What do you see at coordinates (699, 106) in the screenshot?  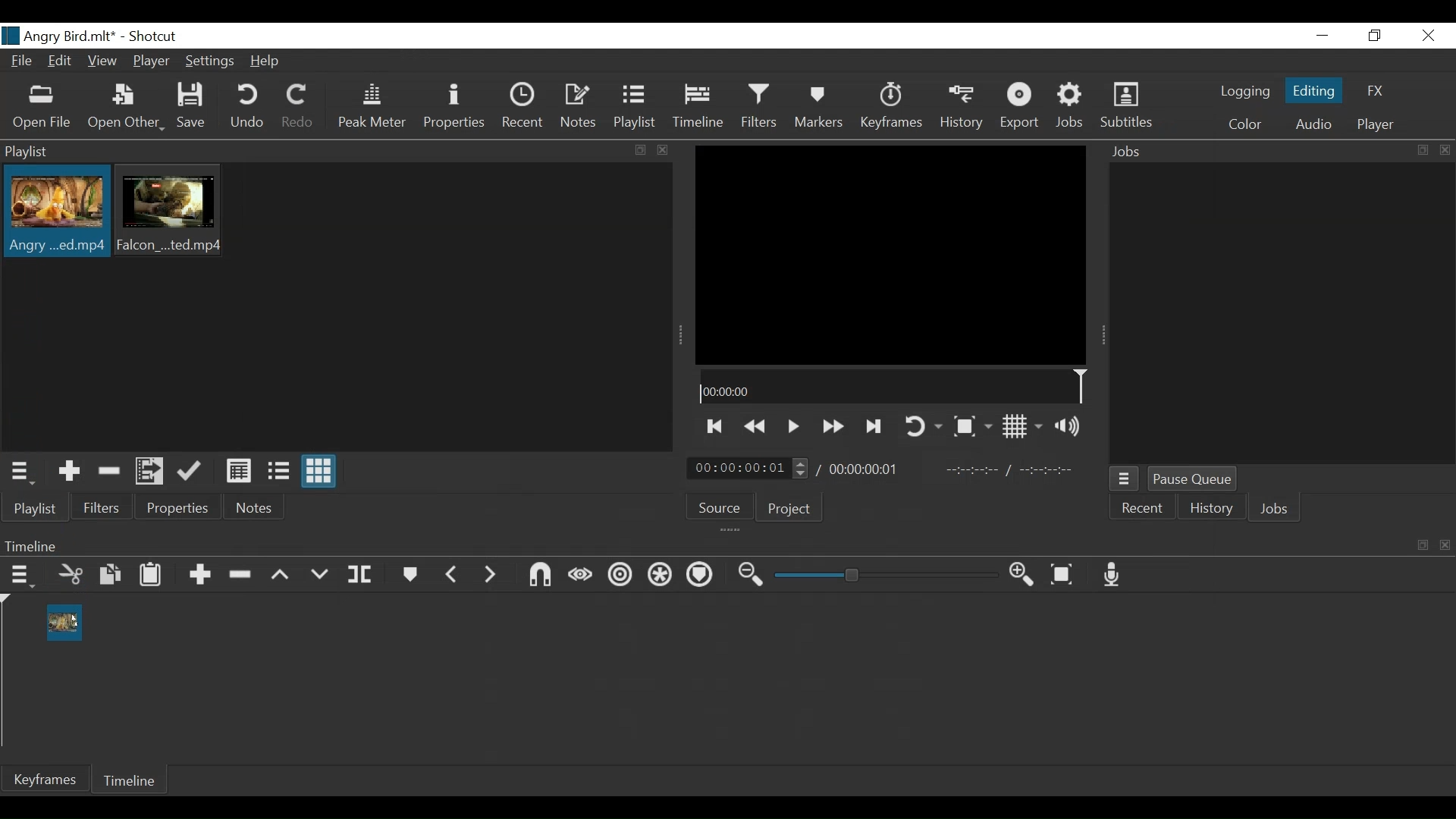 I see `Timeline` at bounding box center [699, 106].